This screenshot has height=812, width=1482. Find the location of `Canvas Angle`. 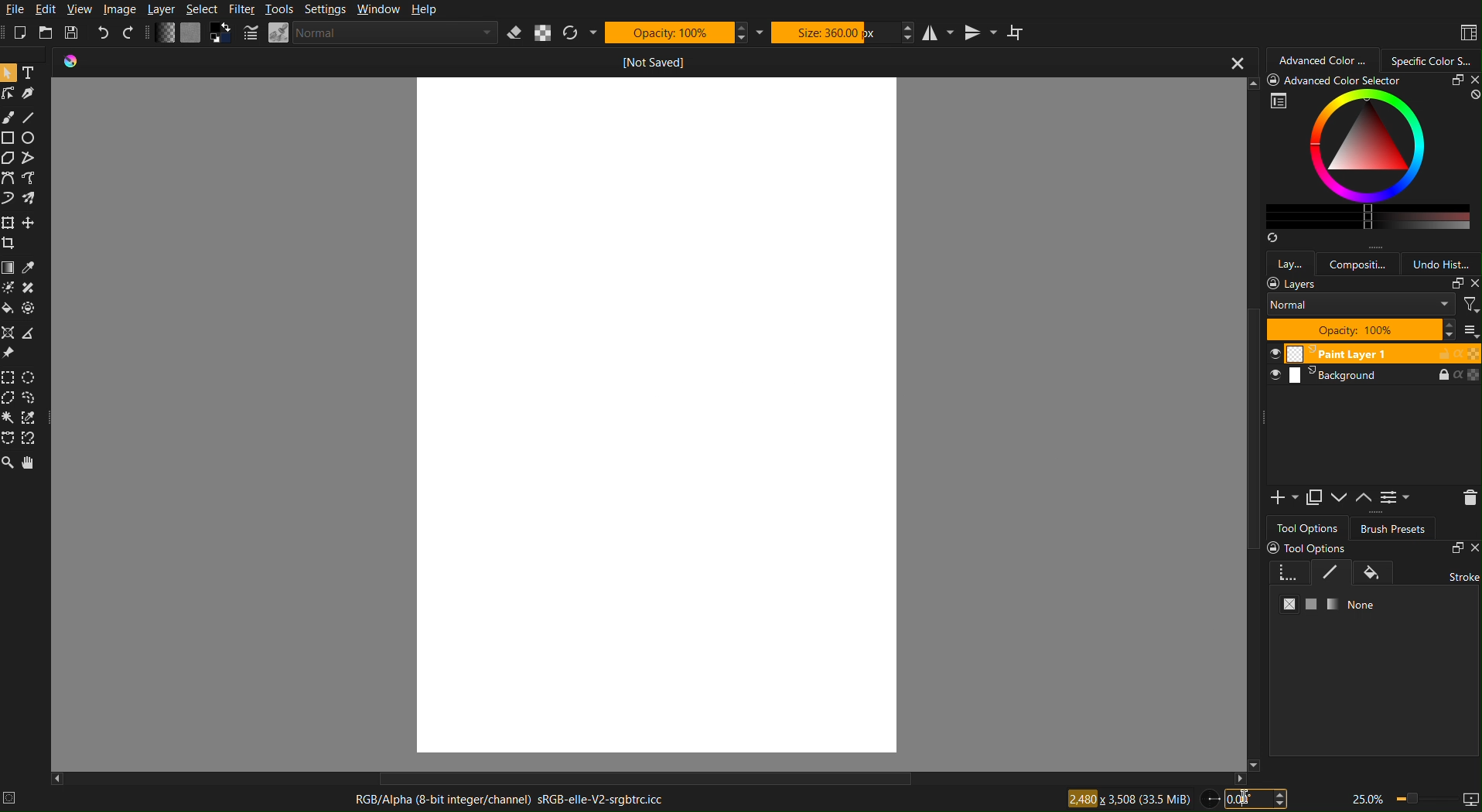

Canvas Angle is located at coordinates (1258, 799).